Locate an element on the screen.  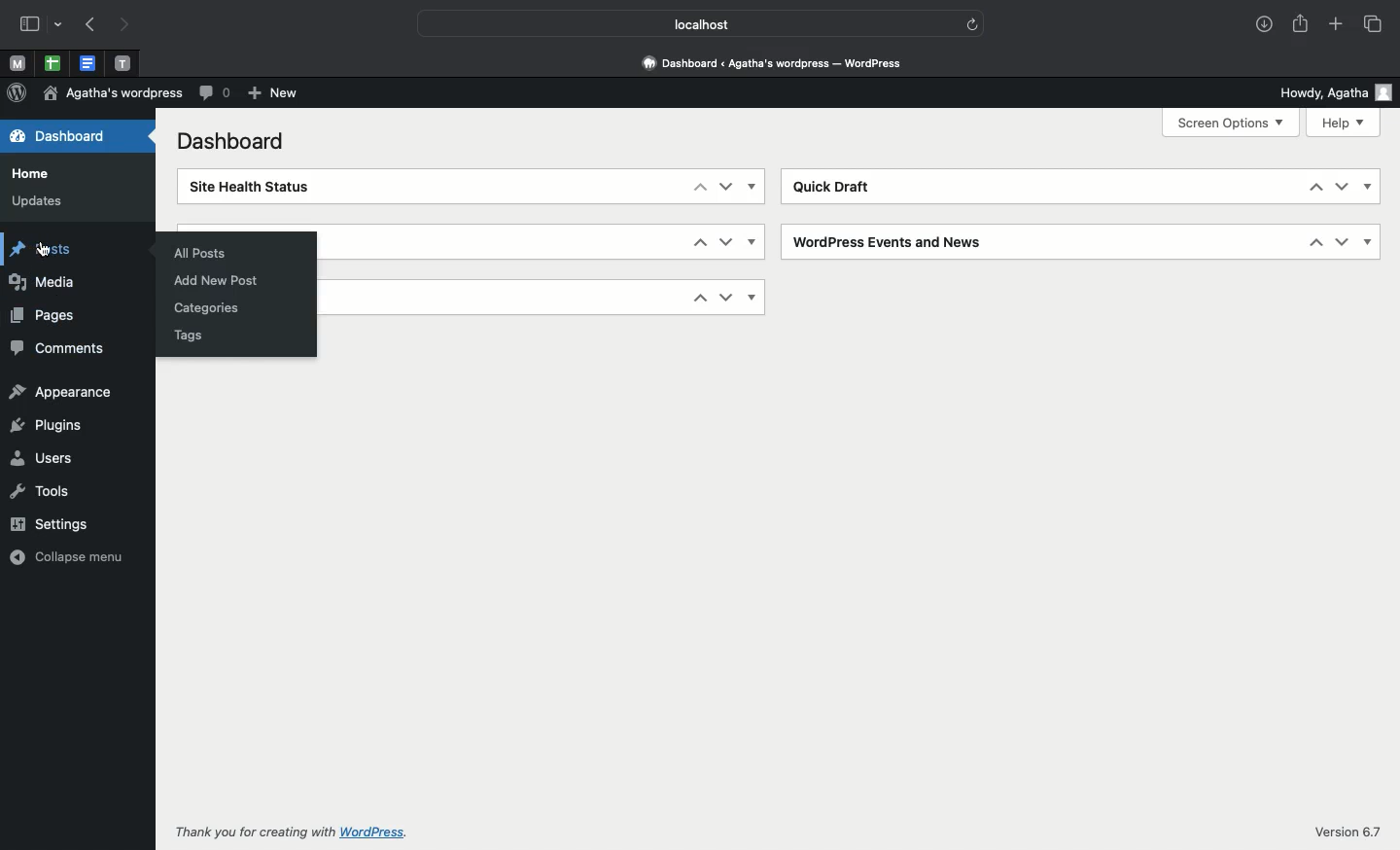
Add new post is located at coordinates (220, 282).